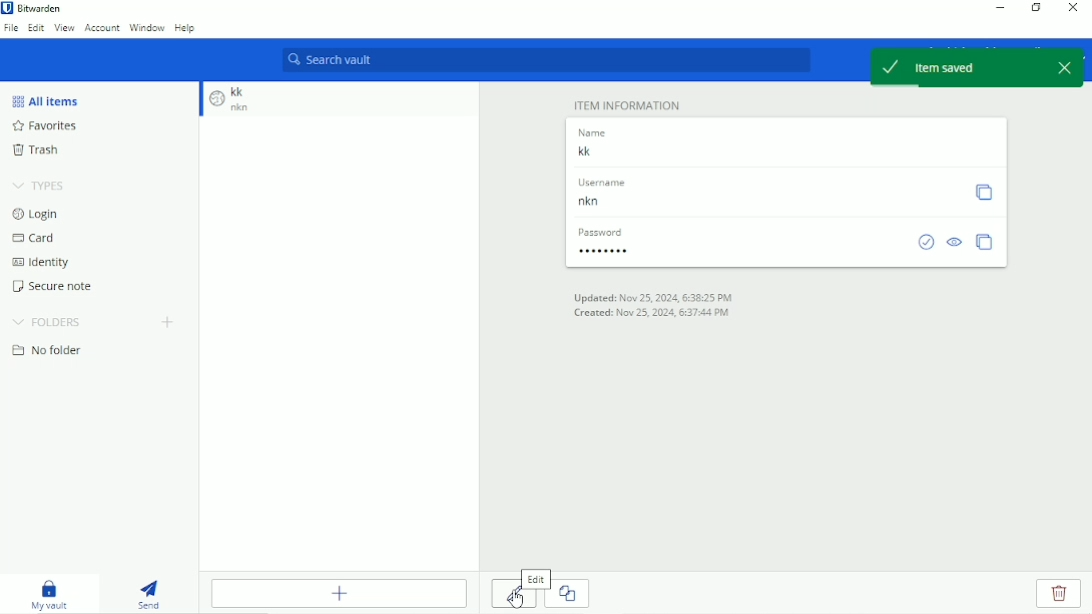 The width and height of the screenshot is (1092, 614). Describe the element at coordinates (40, 262) in the screenshot. I see `Identity` at that location.